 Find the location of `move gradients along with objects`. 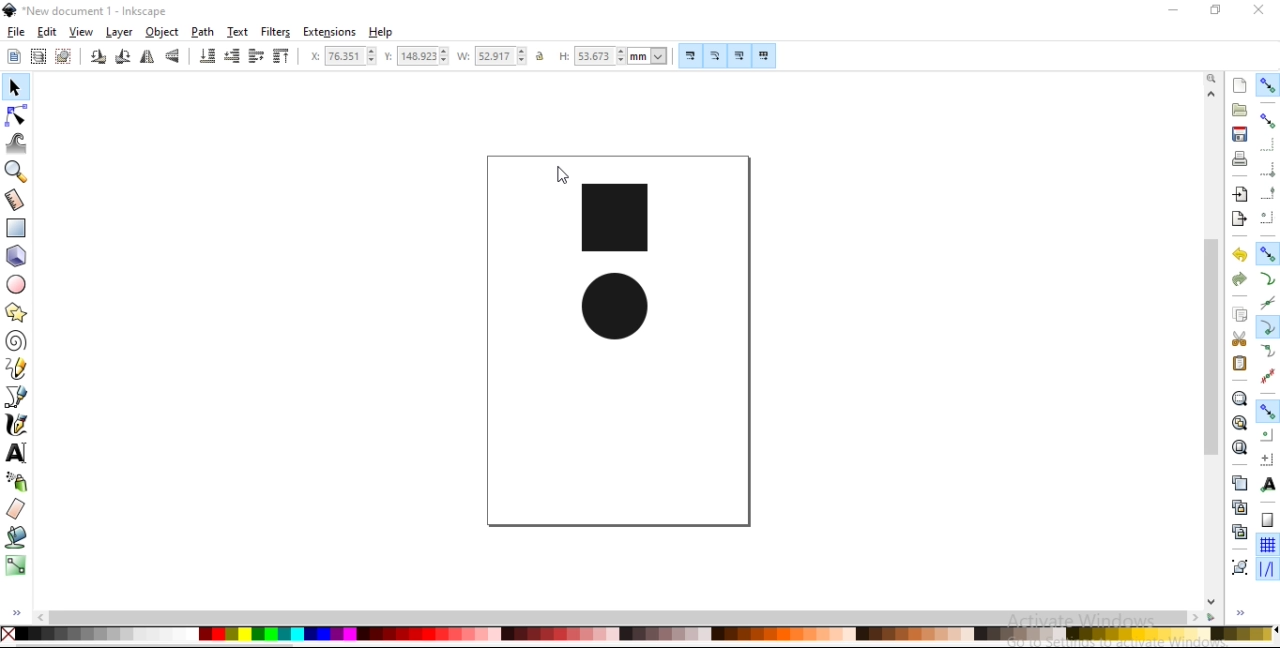

move gradients along with objects is located at coordinates (738, 56).